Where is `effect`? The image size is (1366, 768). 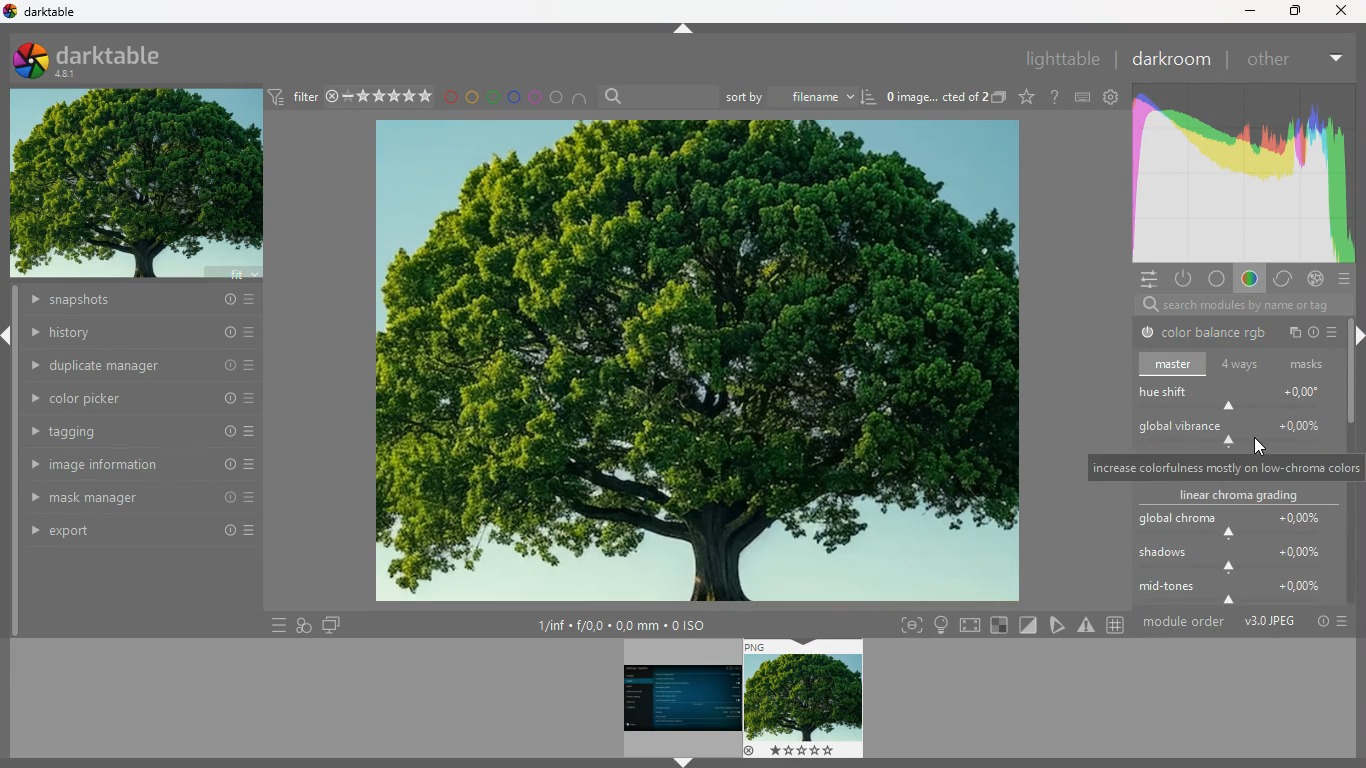 effect is located at coordinates (1315, 279).